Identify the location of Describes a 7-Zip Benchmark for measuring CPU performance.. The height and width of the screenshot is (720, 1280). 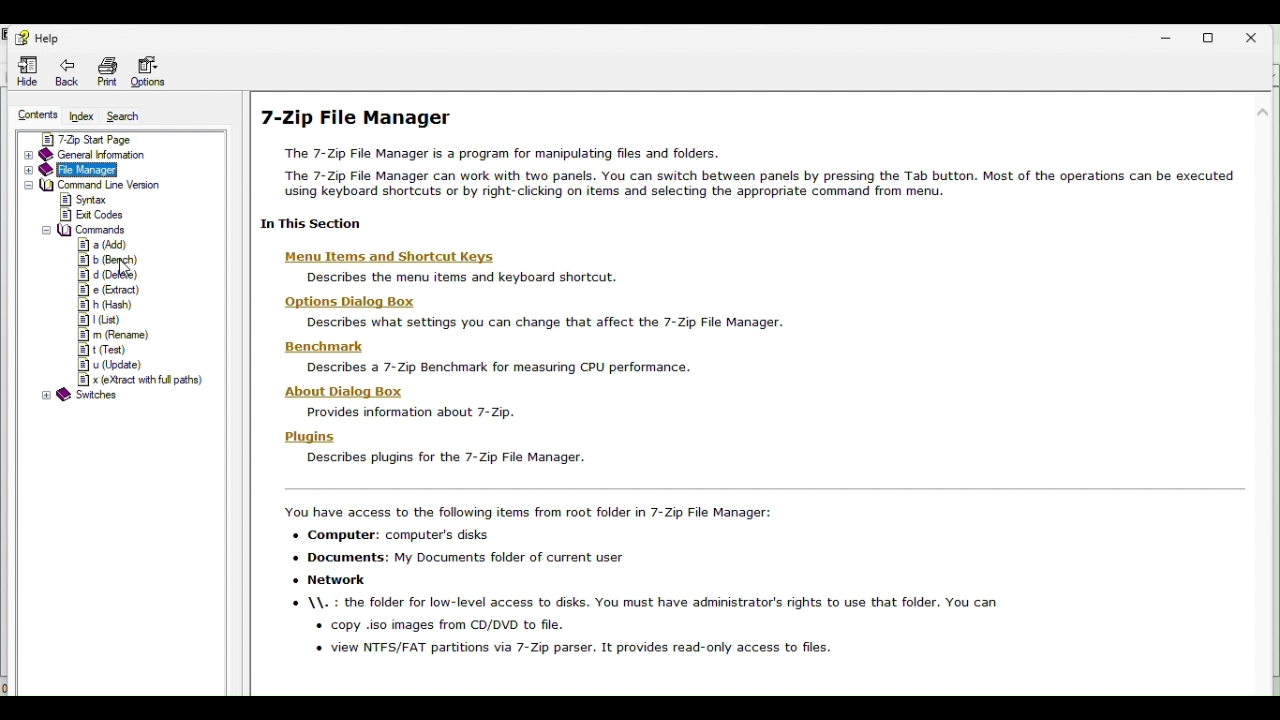
(497, 368).